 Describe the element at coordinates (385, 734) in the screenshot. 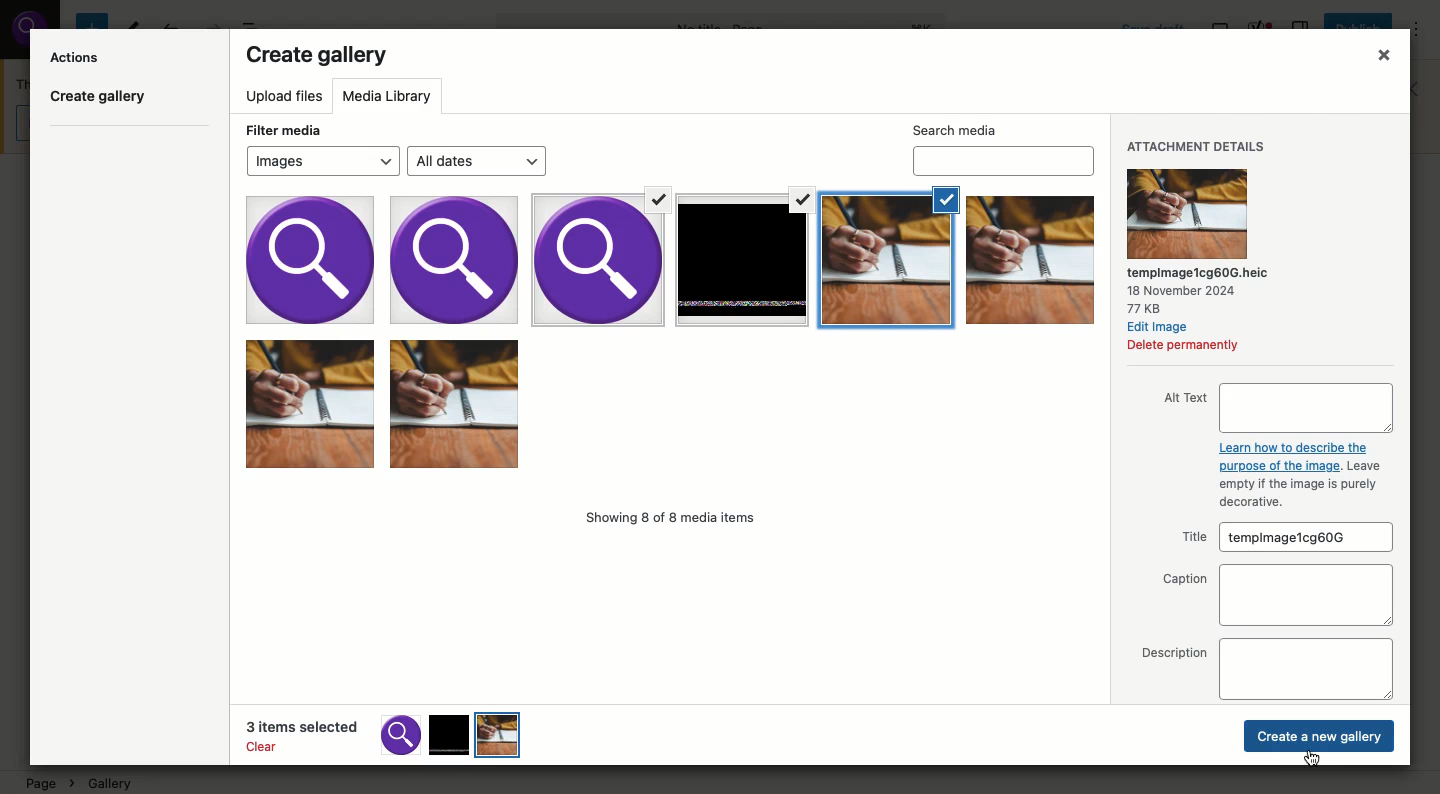

I see `3 items selected` at that location.